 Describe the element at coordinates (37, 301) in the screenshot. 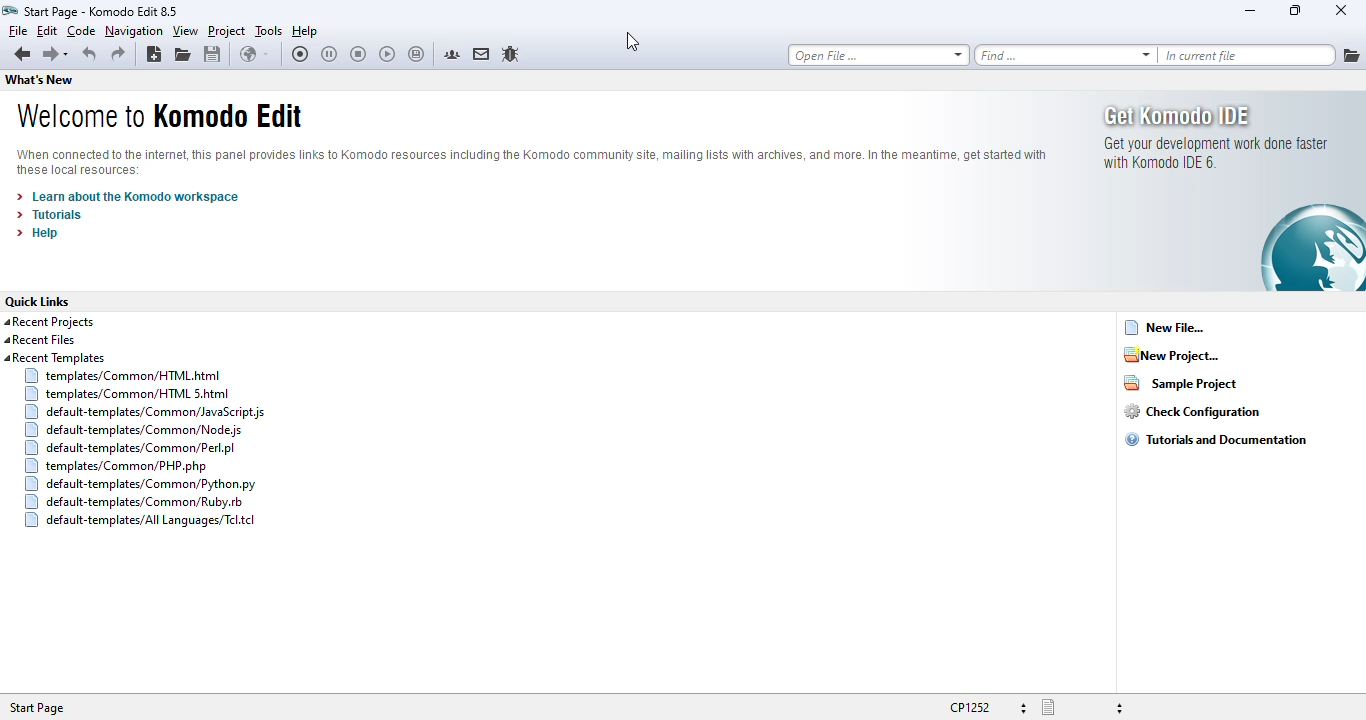

I see `quick links` at that location.